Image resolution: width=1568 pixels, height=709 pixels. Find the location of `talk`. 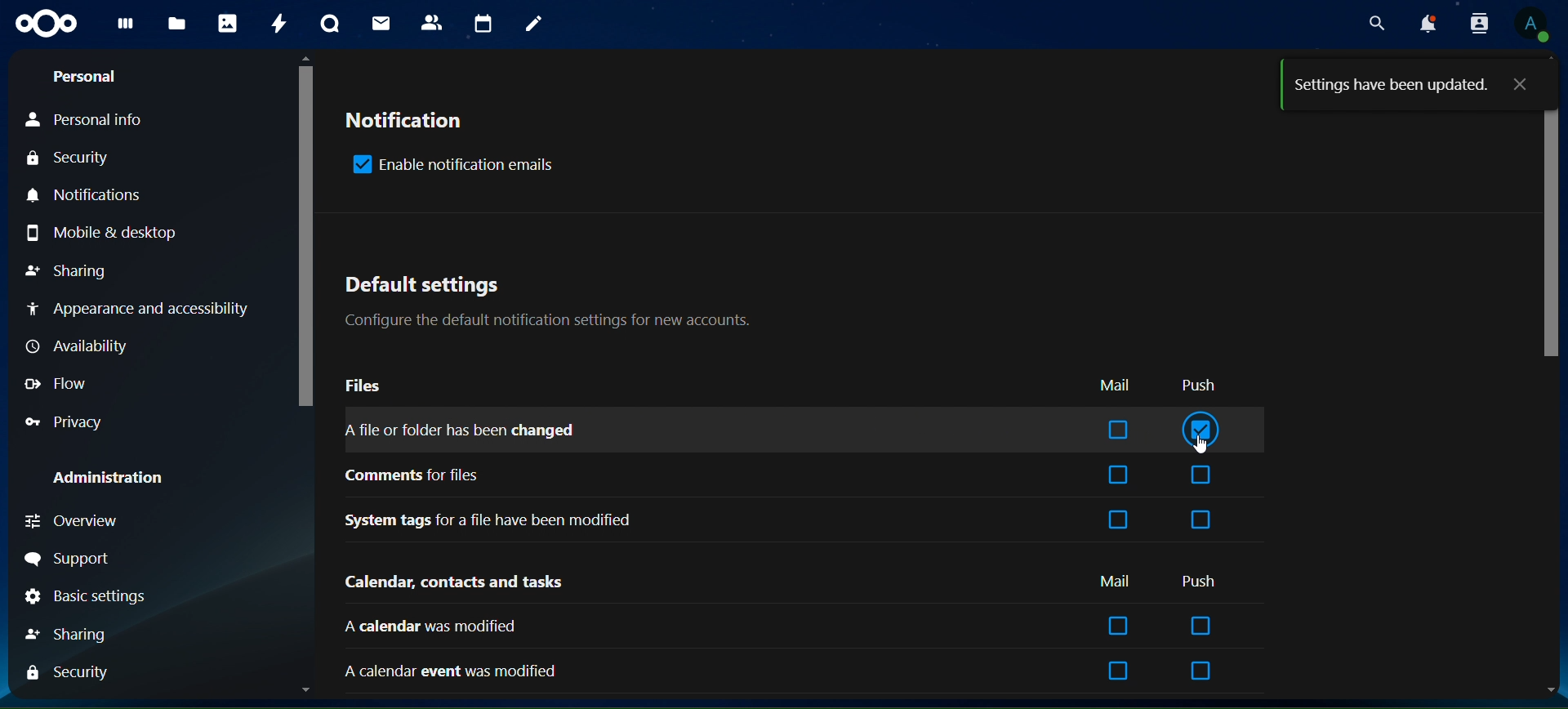

talk is located at coordinates (330, 24).